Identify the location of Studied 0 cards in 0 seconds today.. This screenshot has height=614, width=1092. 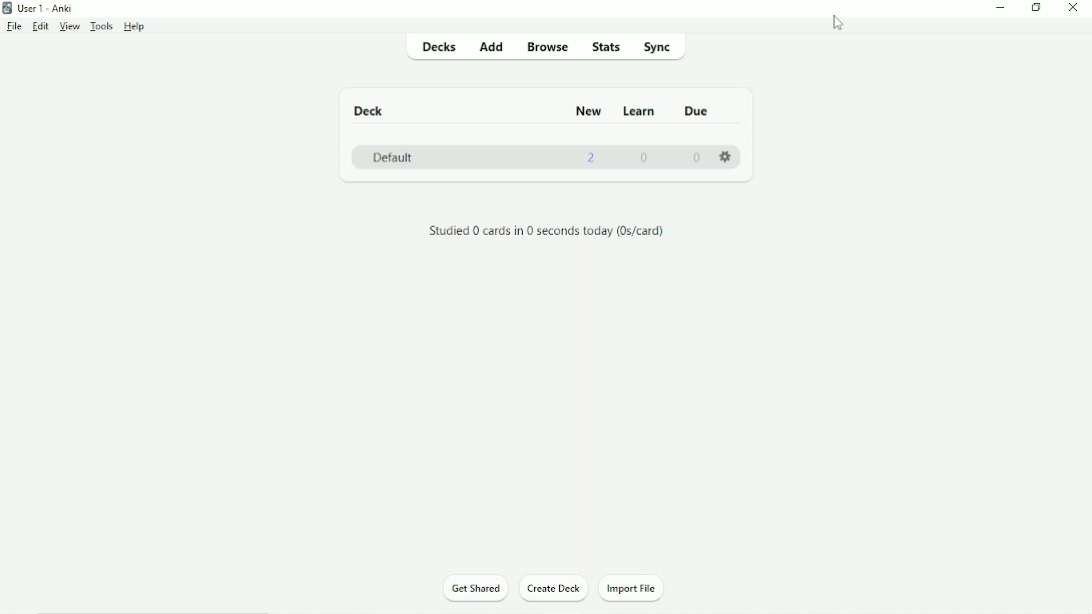
(548, 232).